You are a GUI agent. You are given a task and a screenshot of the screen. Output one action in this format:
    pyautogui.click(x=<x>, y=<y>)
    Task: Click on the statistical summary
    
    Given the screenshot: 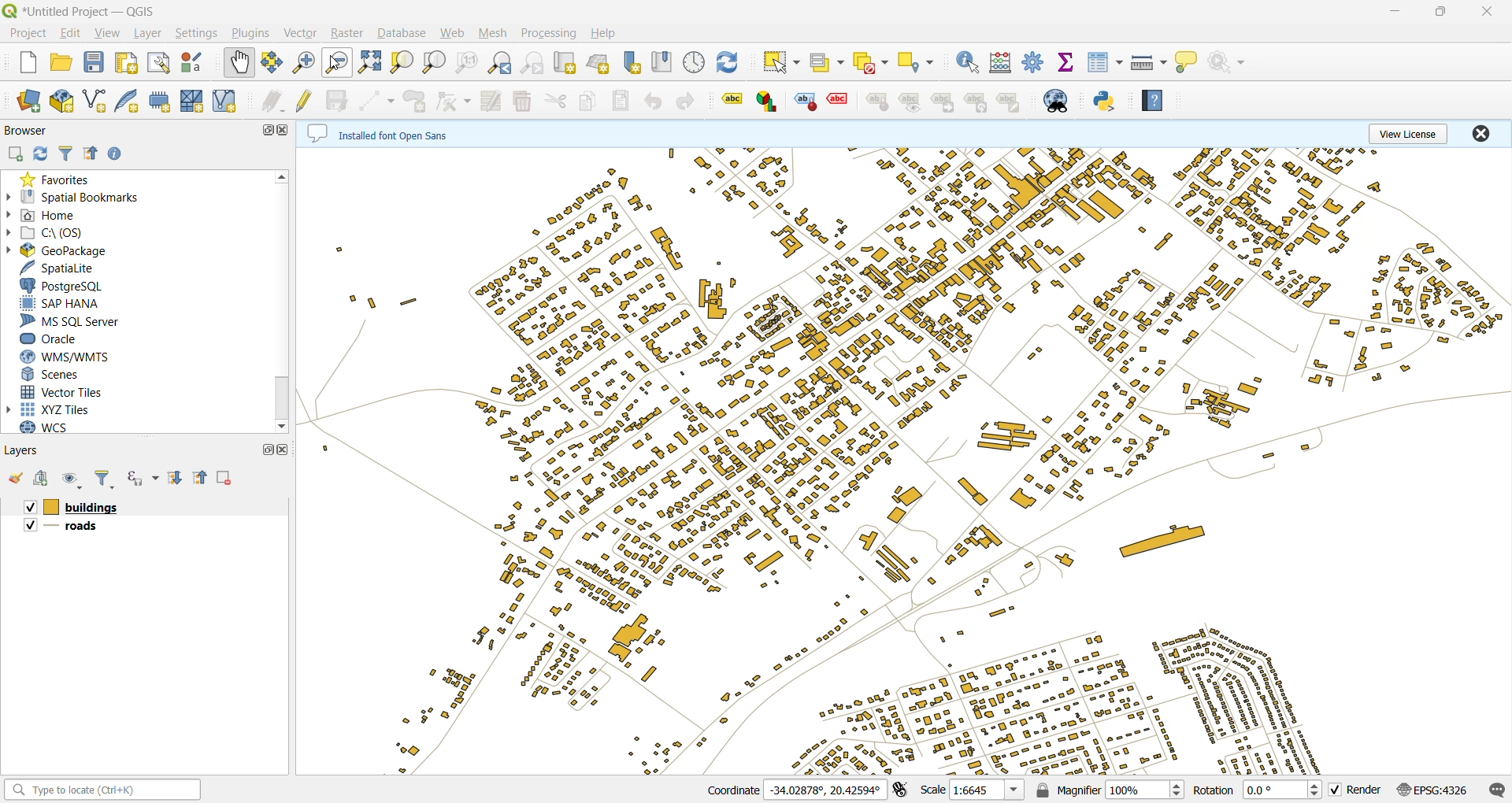 What is the action you would take?
    pyautogui.click(x=1066, y=62)
    